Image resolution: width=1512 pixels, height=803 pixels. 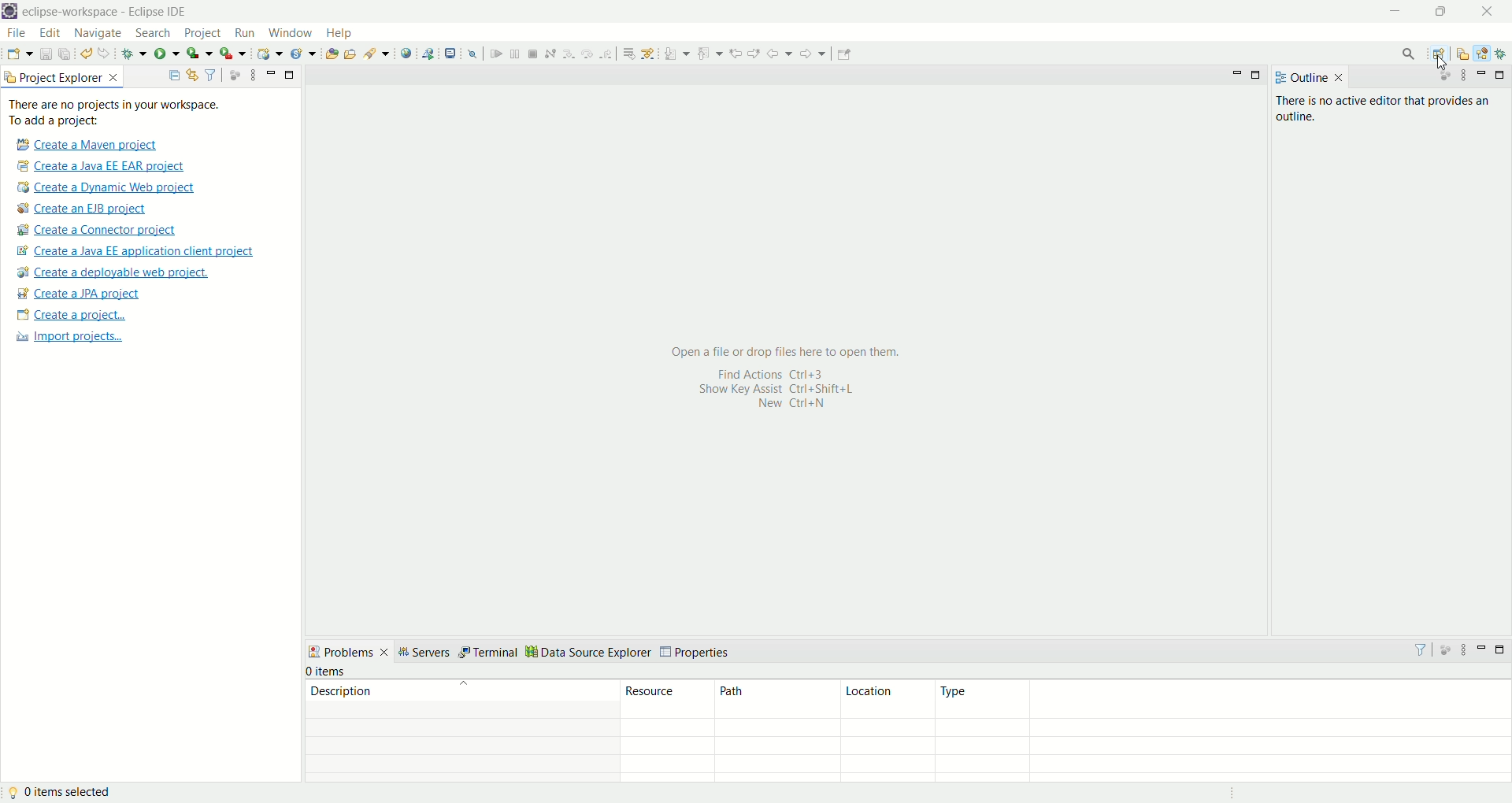 What do you see at coordinates (107, 13) in the screenshot?
I see `eclipse-workspace-Eclipse IDE` at bounding box center [107, 13].